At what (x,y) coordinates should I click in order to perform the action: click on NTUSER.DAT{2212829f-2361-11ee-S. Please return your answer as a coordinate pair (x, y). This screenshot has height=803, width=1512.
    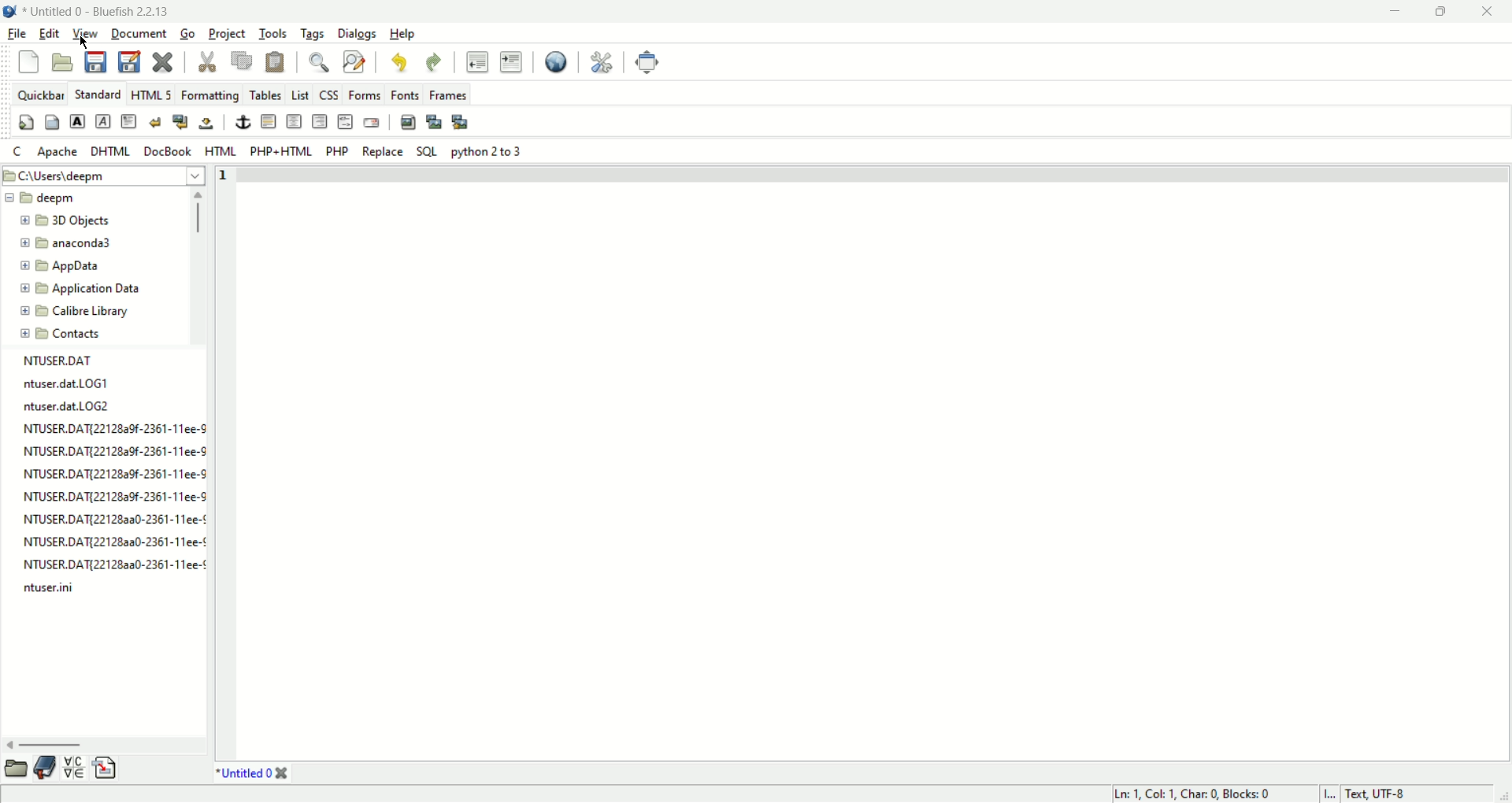
    Looking at the image, I should click on (113, 476).